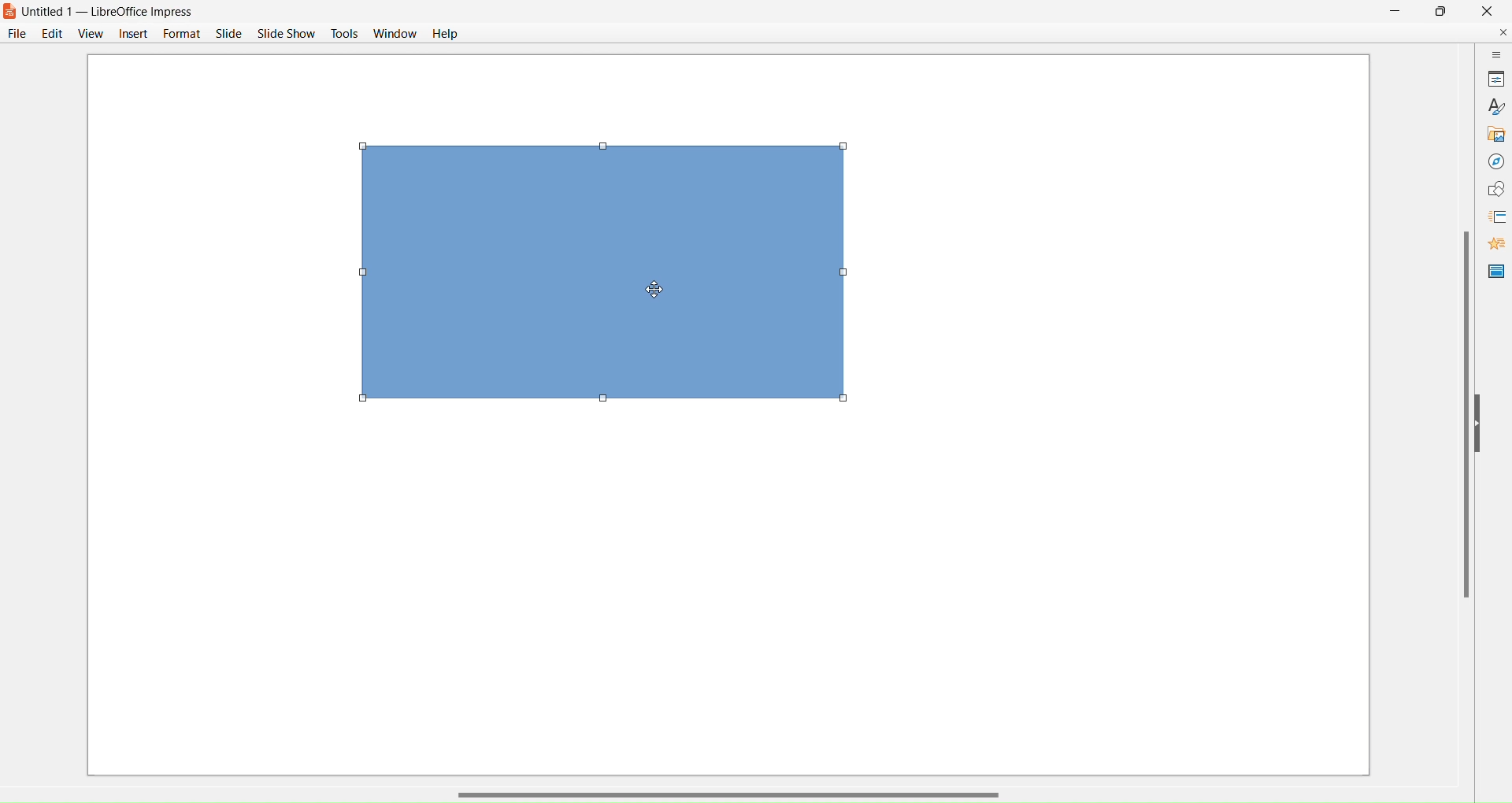  What do you see at coordinates (444, 35) in the screenshot?
I see `Help` at bounding box center [444, 35].